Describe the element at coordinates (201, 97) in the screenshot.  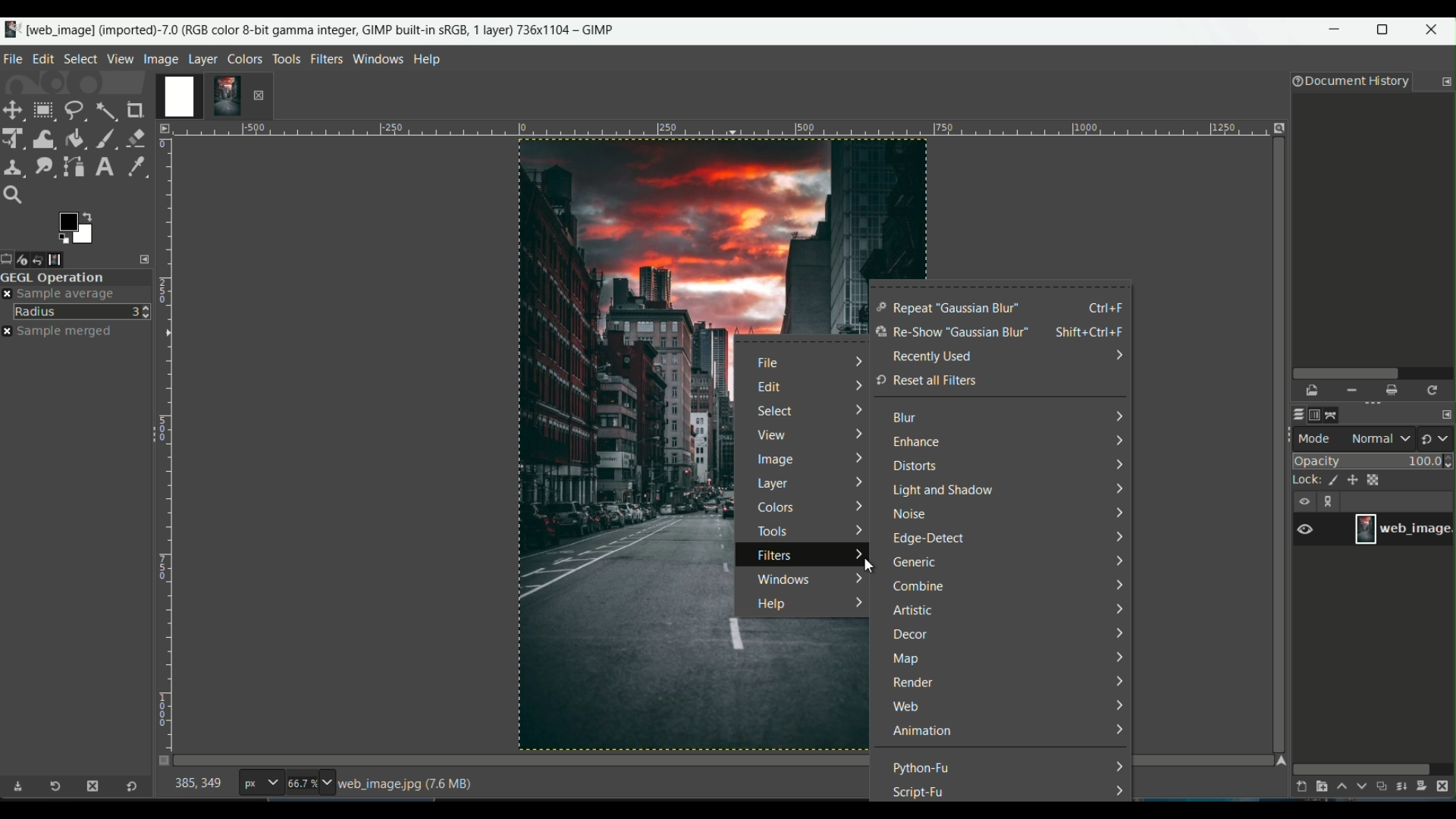
I see `imported image` at that location.